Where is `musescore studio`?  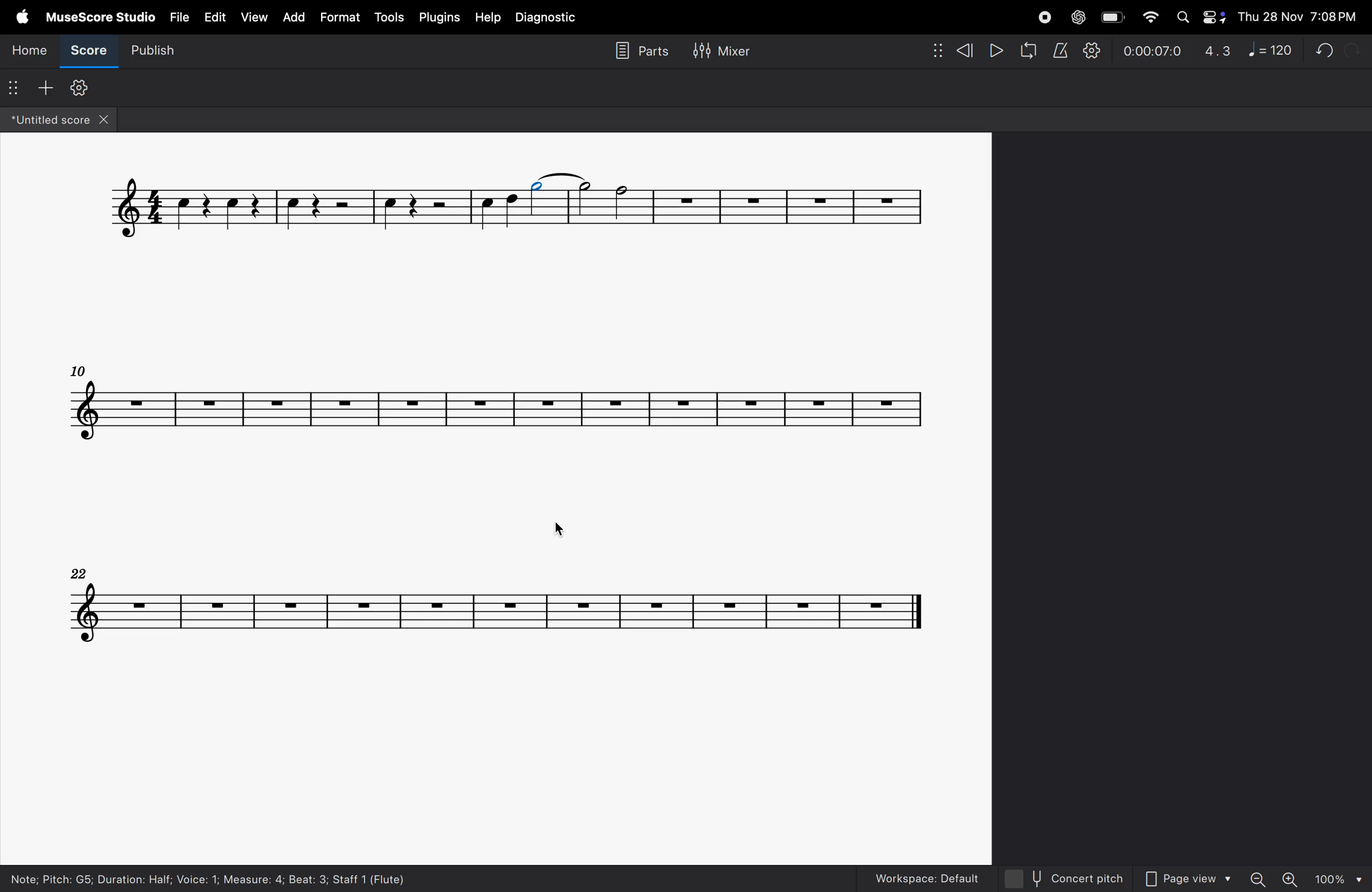
musescore studio is located at coordinates (101, 16).